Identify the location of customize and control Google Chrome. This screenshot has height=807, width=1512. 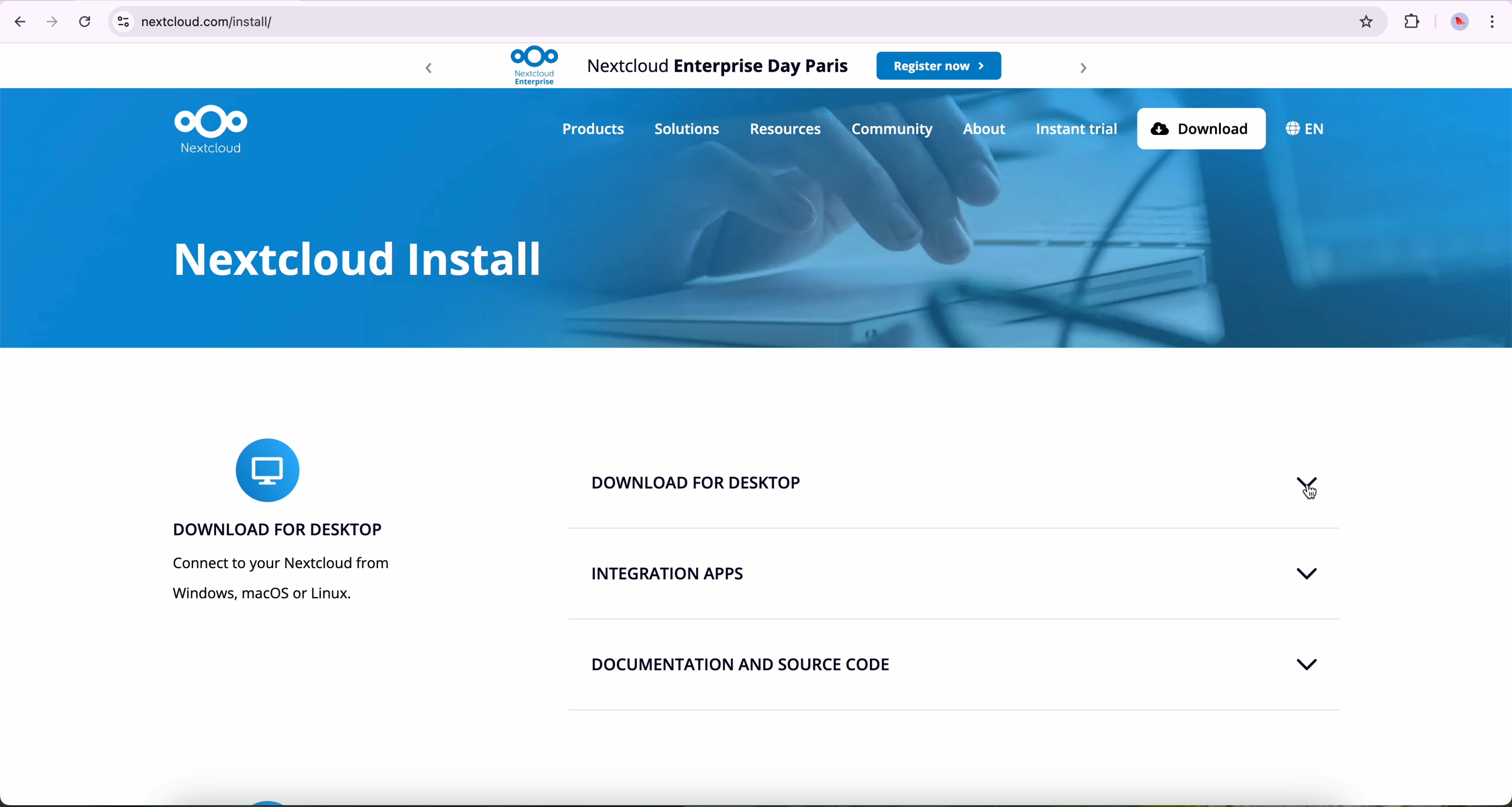
(1495, 23).